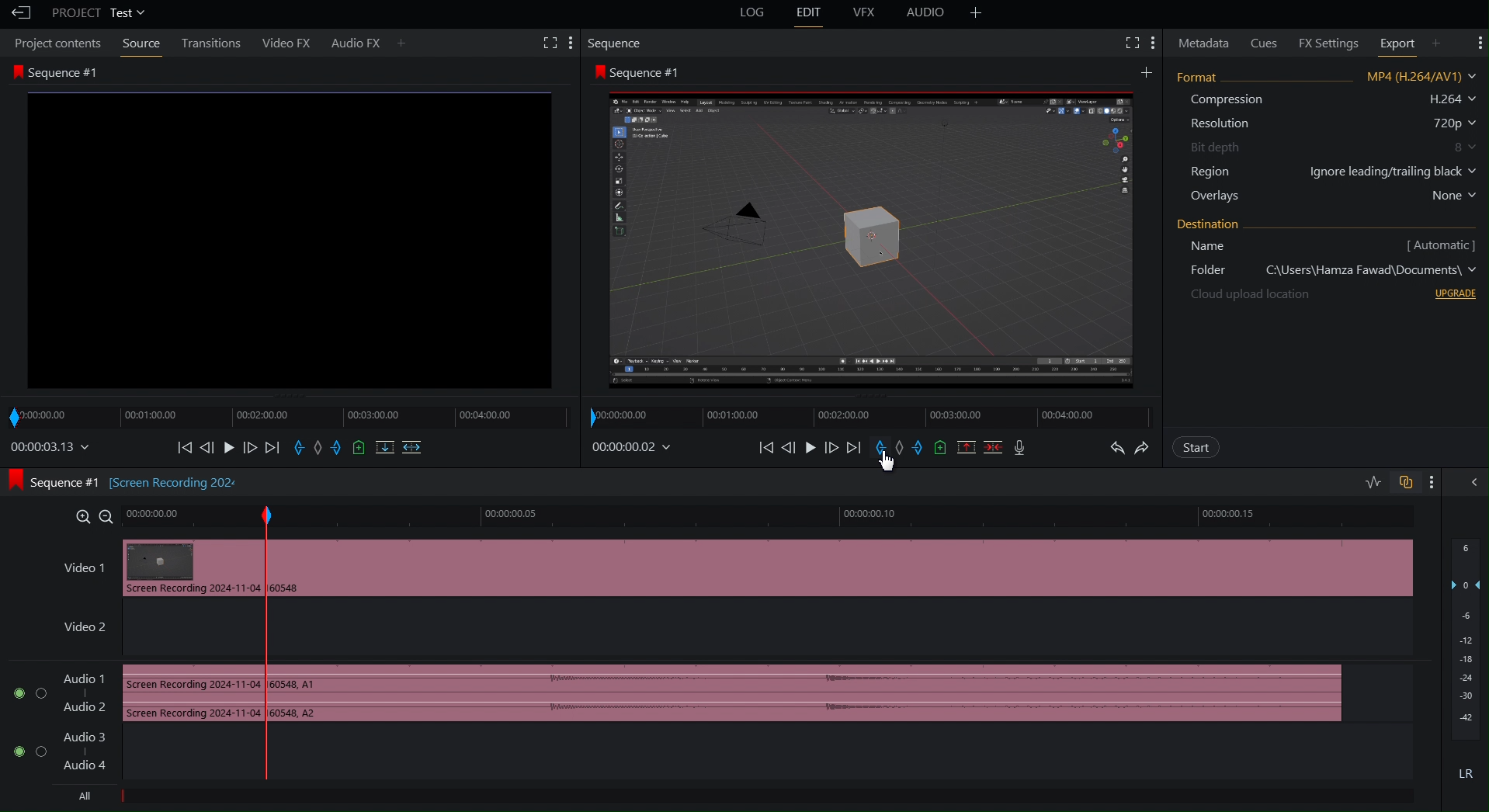 The height and width of the screenshot is (812, 1489). I want to click on Audio 2, so click(61, 756).